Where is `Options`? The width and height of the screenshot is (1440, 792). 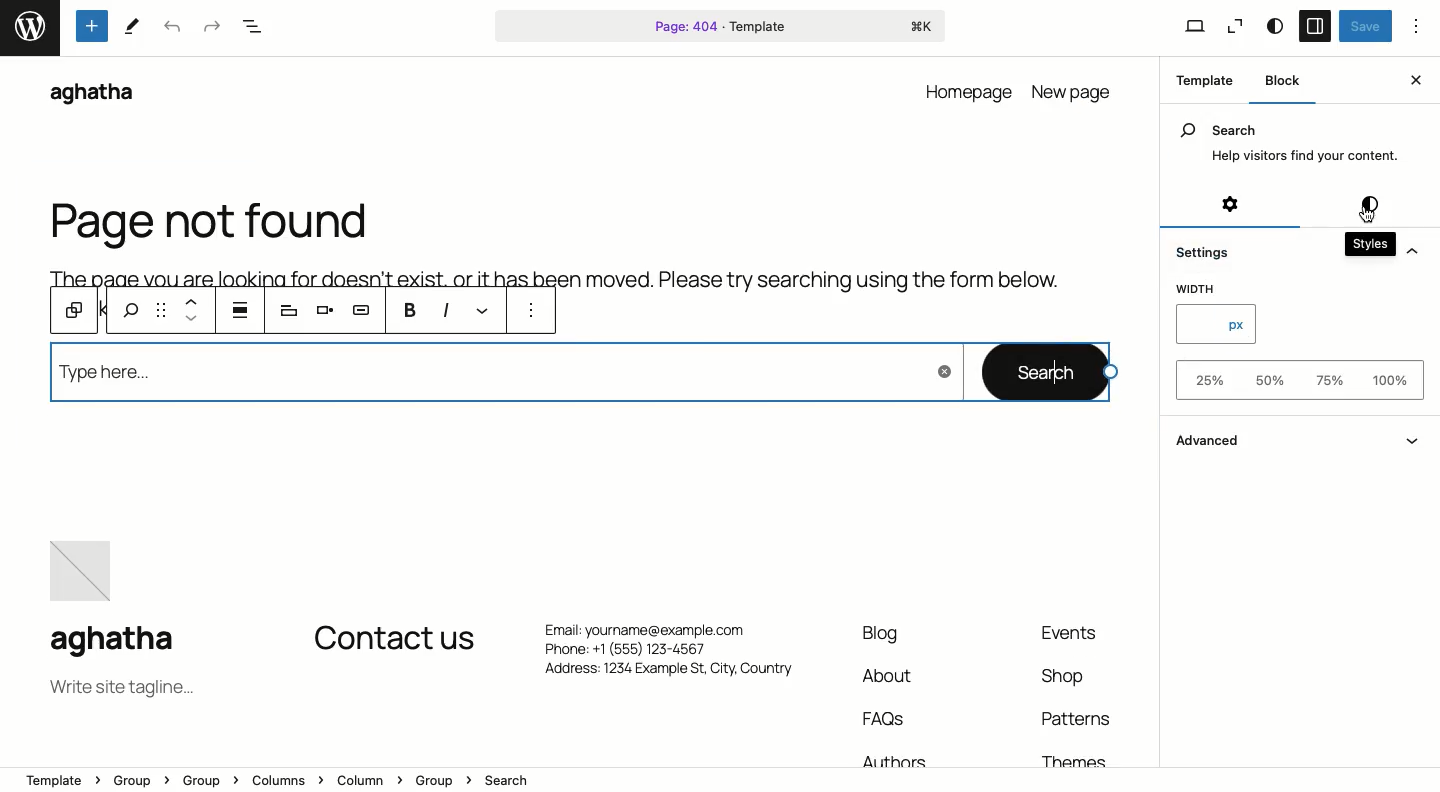 Options is located at coordinates (1422, 27).